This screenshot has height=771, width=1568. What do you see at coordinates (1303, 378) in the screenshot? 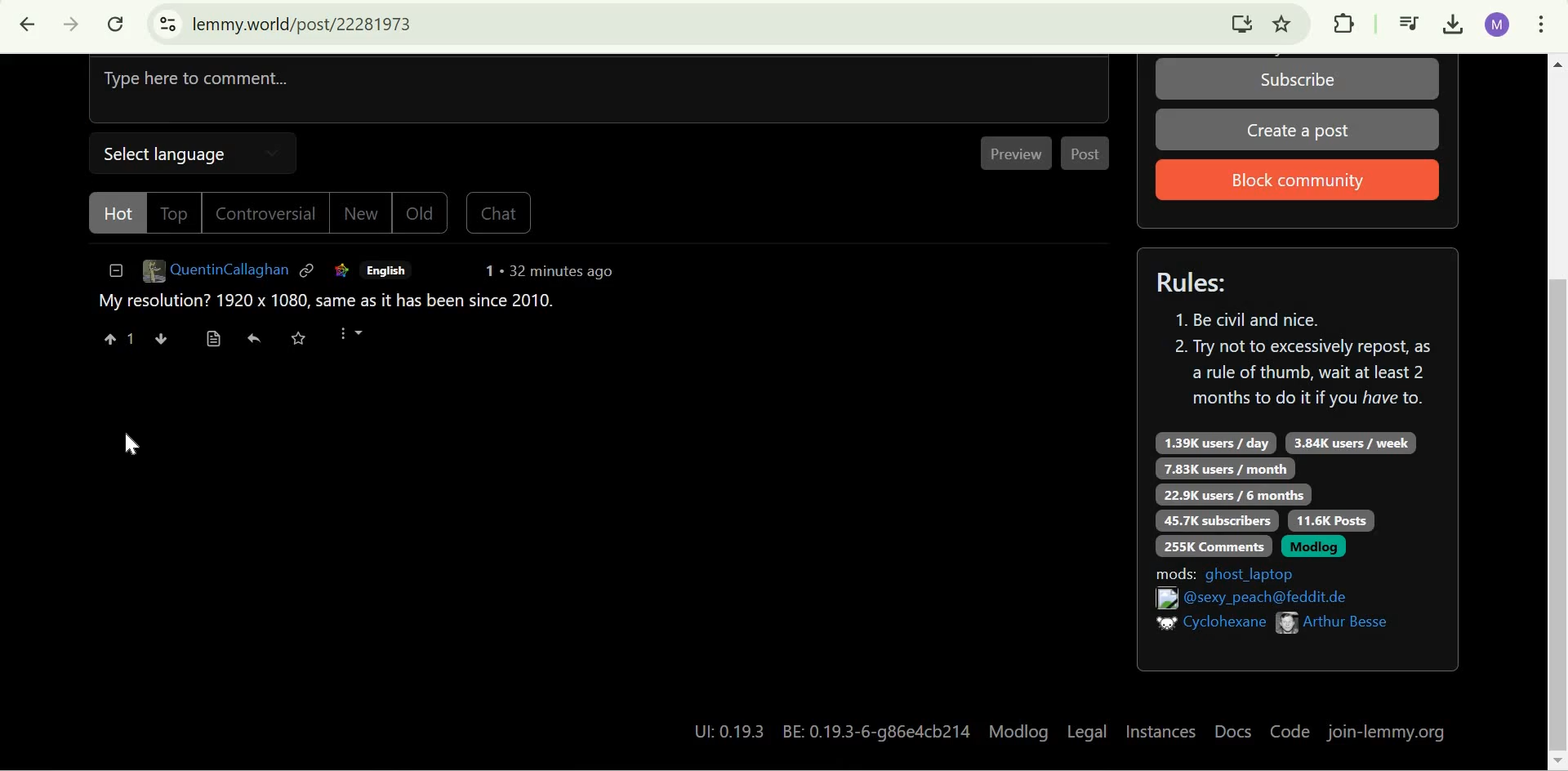
I see `2. Try not to excessively repost, as
a rule of thumb, wait at least 2
months to do it if you have to.` at bounding box center [1303, 378].